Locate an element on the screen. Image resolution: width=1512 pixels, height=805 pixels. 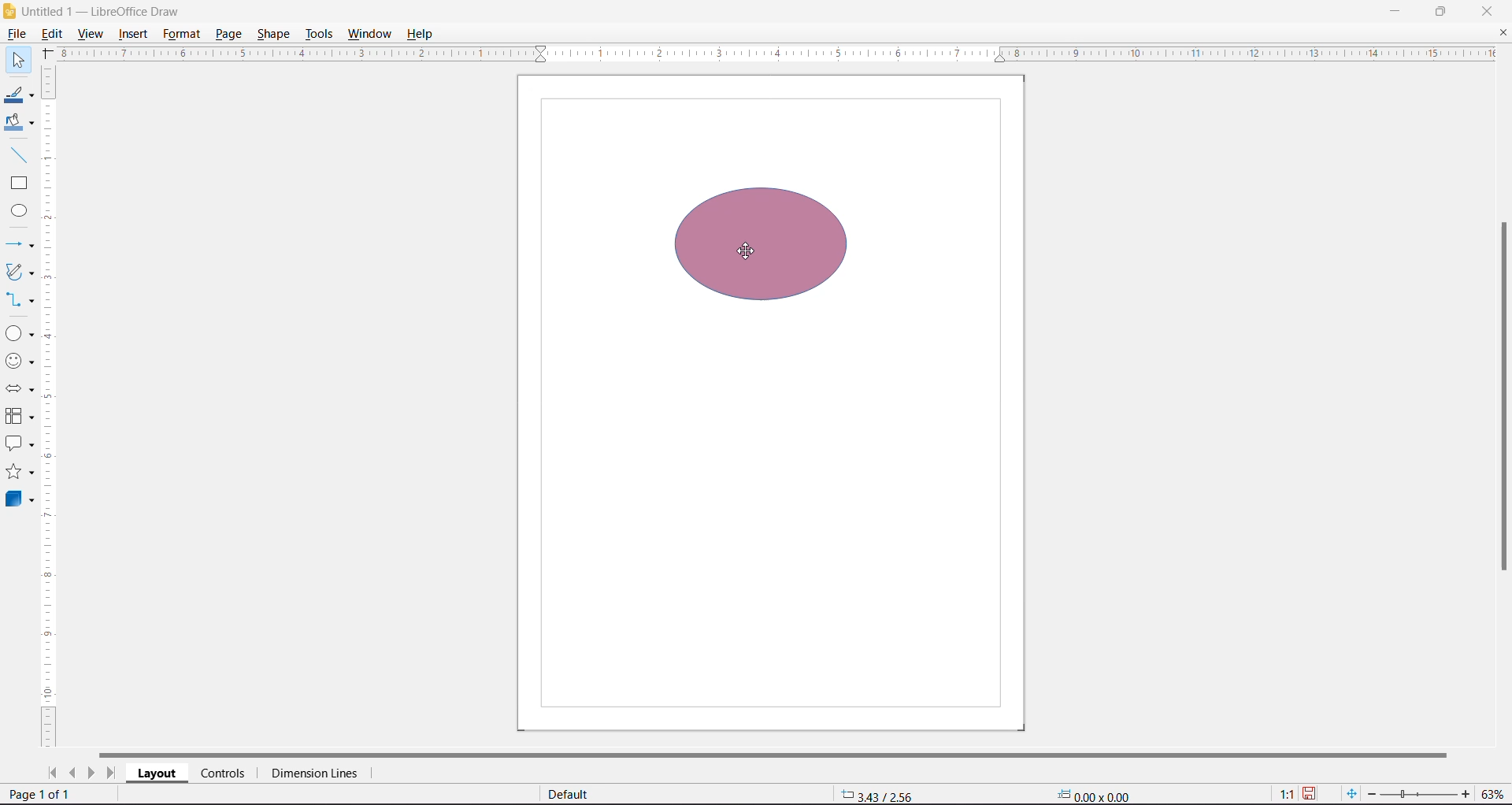
Symbol Shapes is located at coordinates (22, 363).